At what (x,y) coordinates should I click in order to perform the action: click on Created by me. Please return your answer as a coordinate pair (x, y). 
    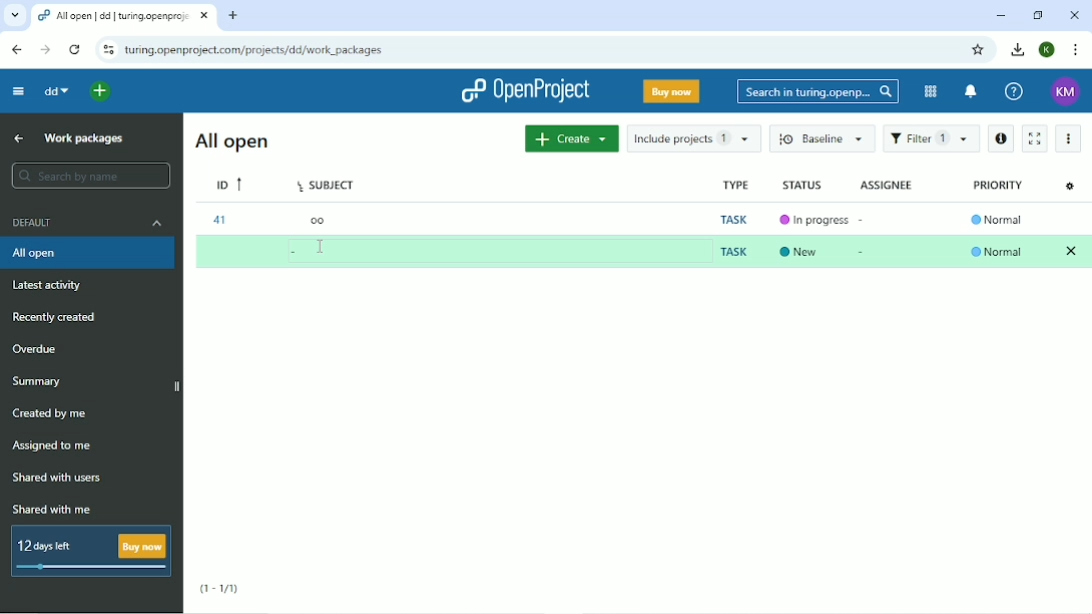
    Looking at the image, I should click on (51, 414).